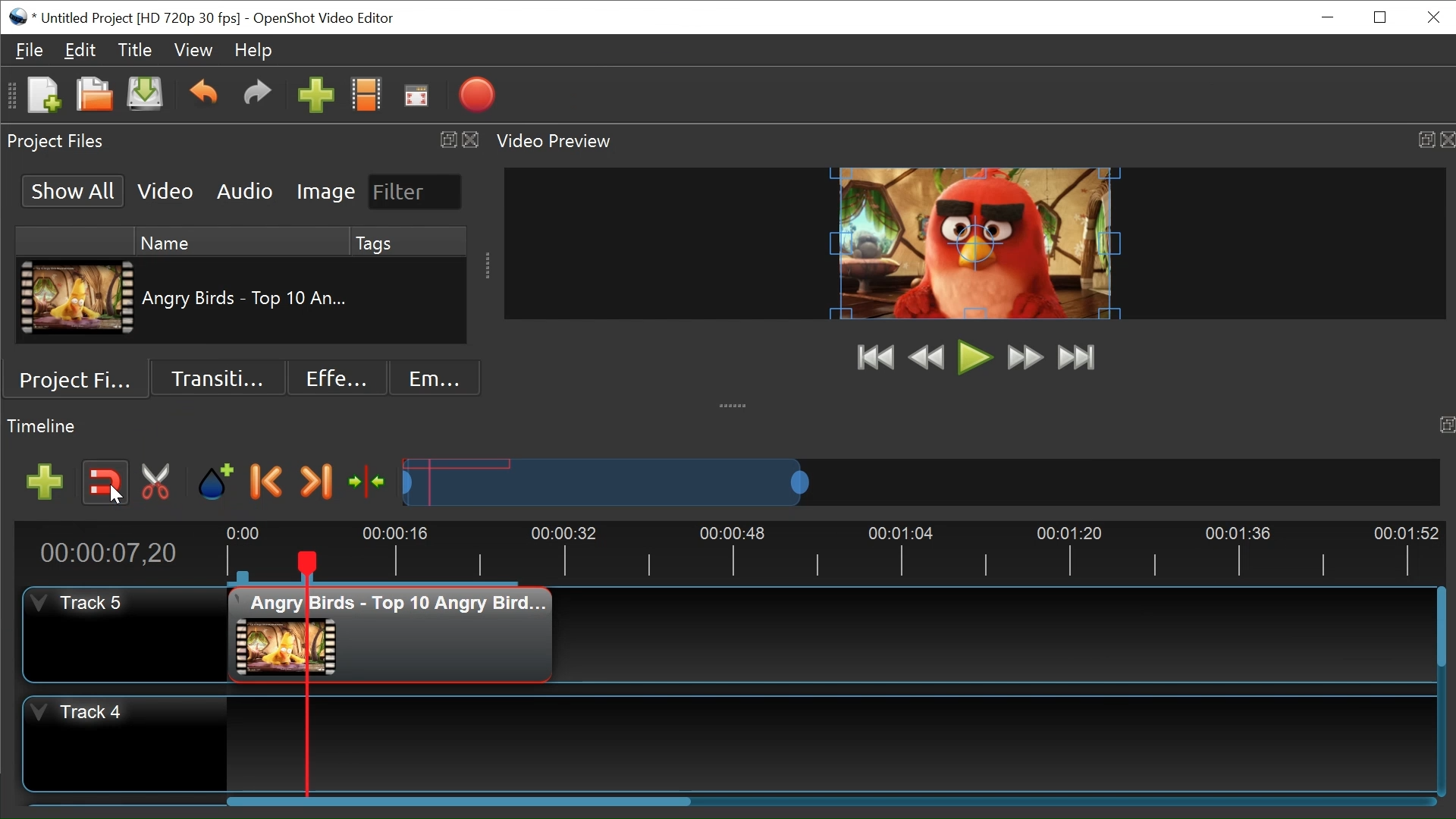  Describe the element at coordinates (1434, 17) in the screenshot. I see `Close` at that location.